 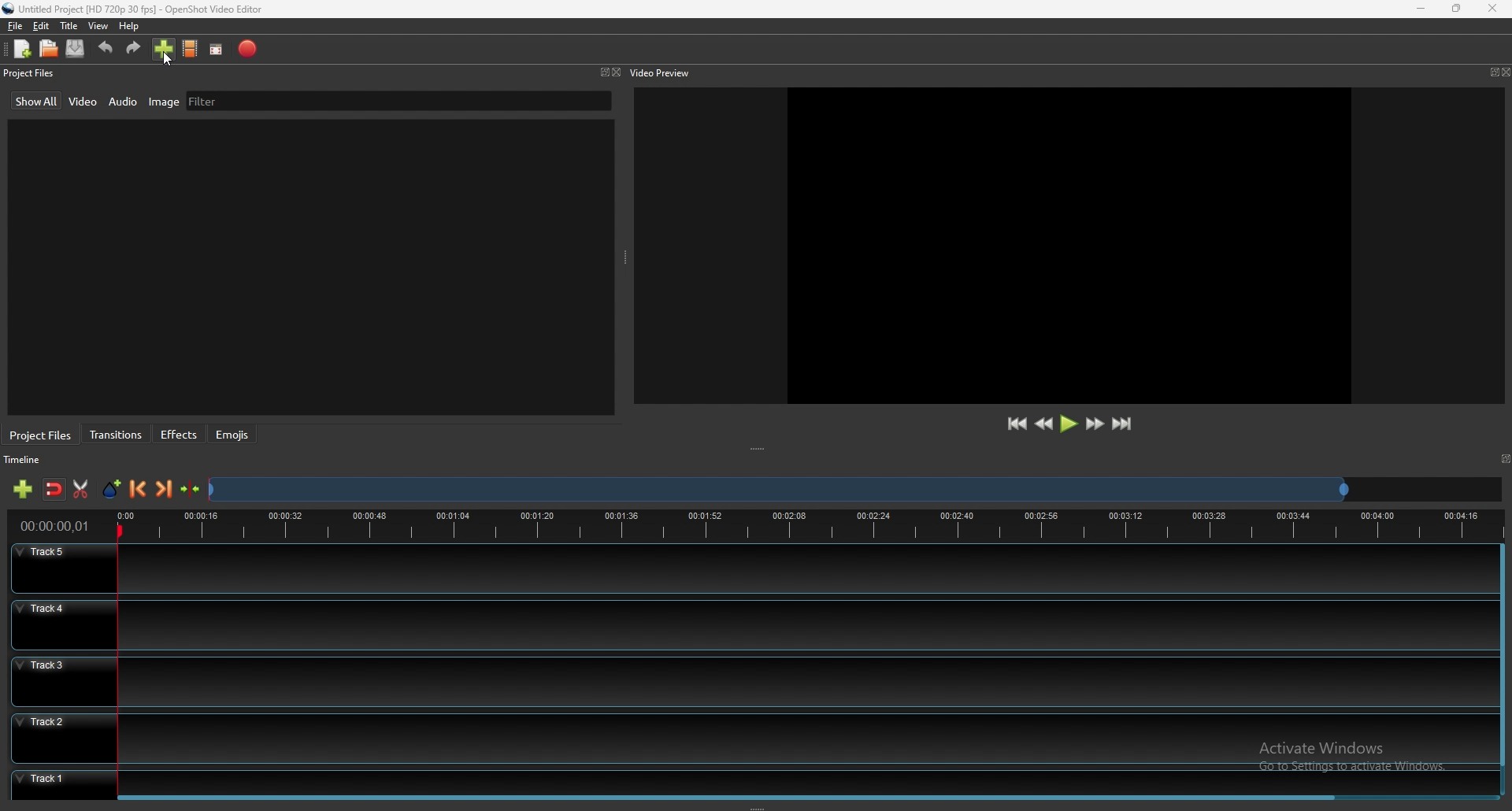 What do you see at coordinates (217, 49) in the screenshot?
I see `fullscreen` at bounding box center [217, 49].